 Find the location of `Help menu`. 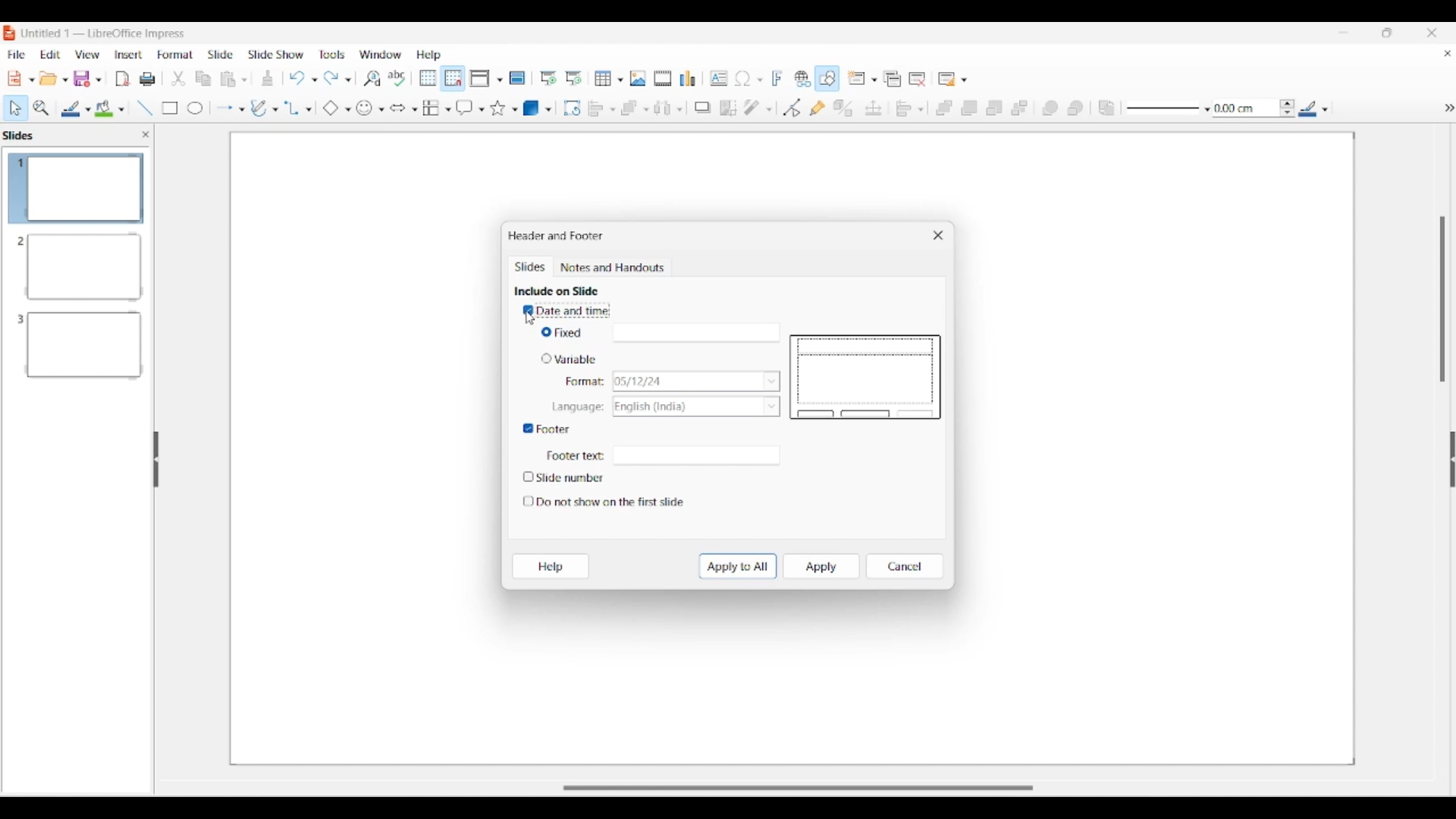

Help menu is located at coordinates (429, 55).